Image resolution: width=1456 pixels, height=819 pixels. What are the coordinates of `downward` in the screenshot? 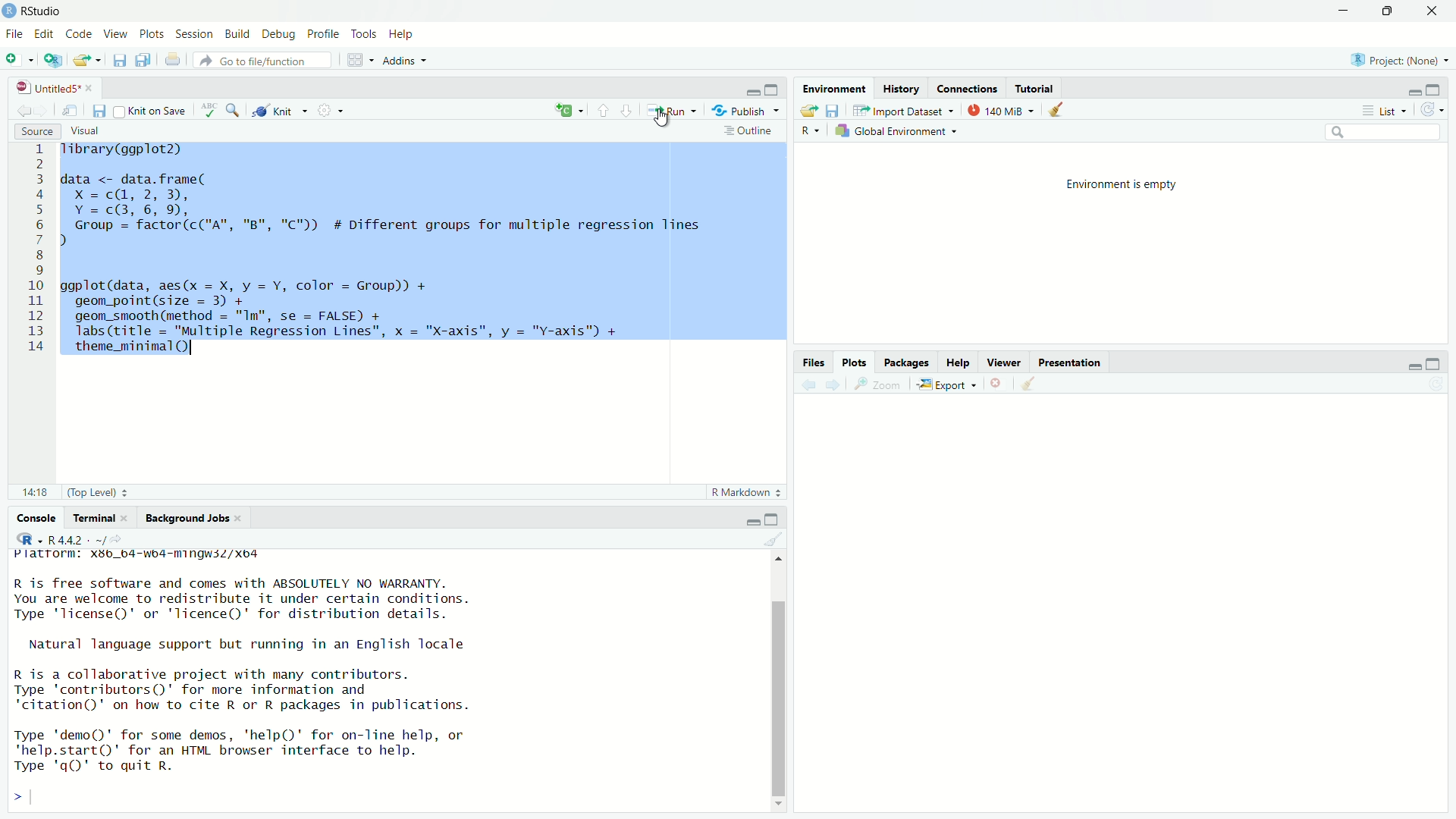 It's located at (630, 113).